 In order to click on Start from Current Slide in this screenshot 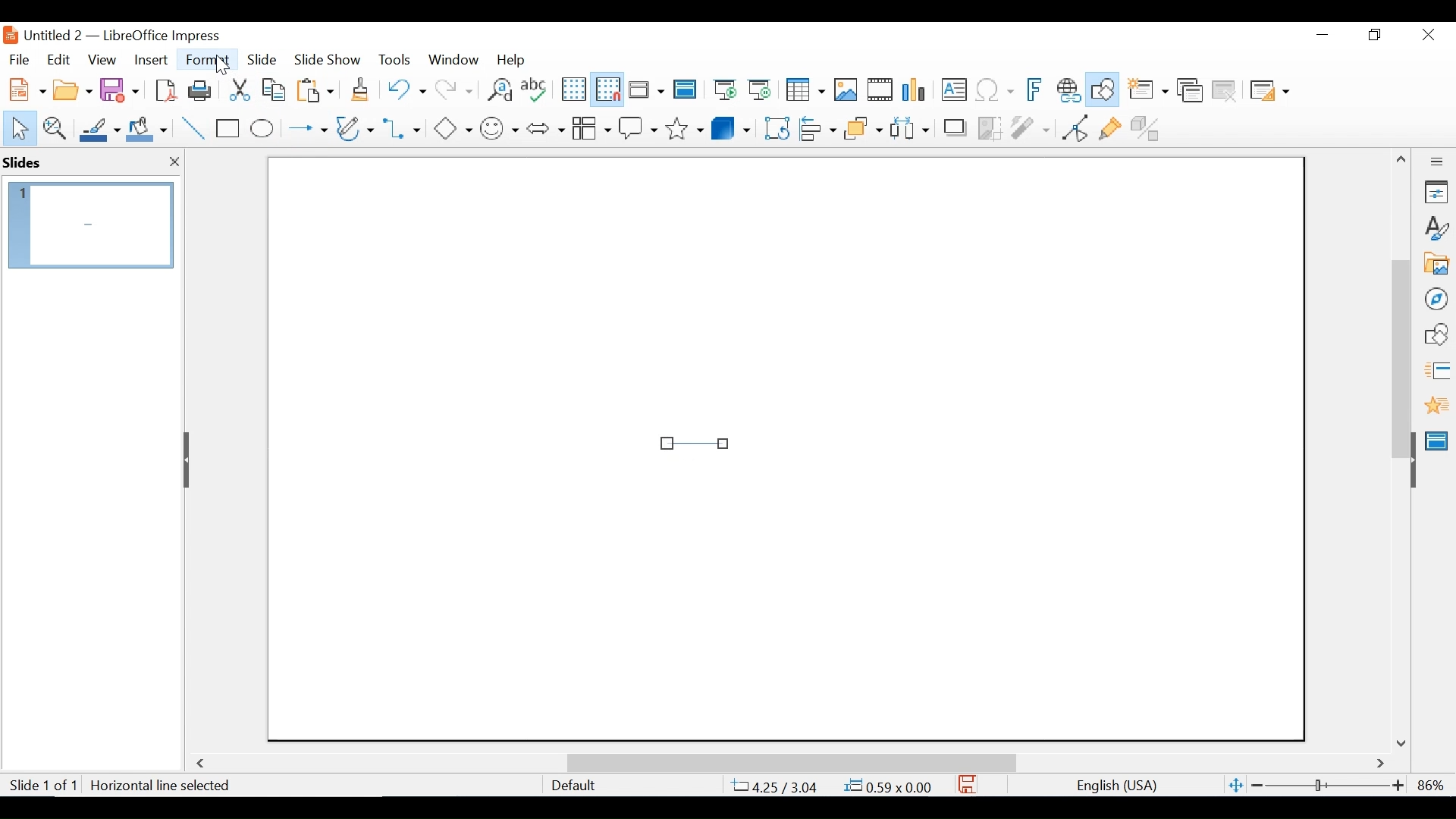, I will do `click(759, 91)`.